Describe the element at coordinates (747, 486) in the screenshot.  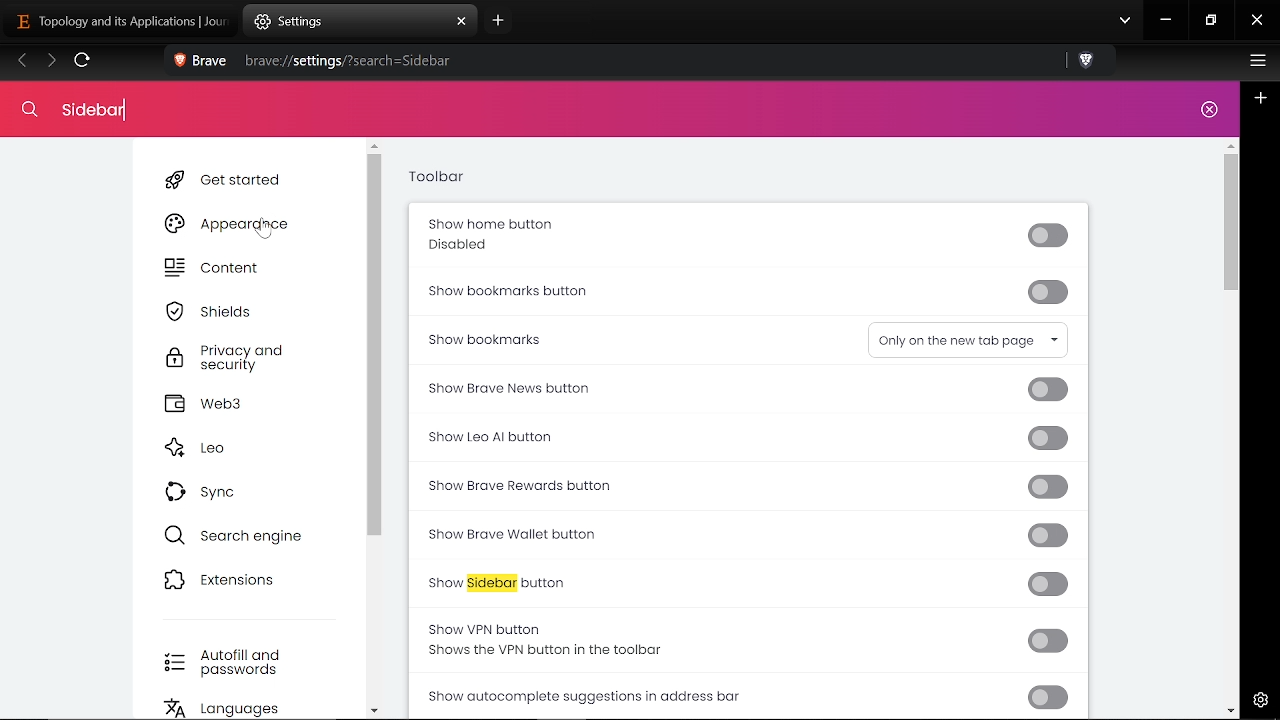
I see `Show Brave rewards button` at that location.